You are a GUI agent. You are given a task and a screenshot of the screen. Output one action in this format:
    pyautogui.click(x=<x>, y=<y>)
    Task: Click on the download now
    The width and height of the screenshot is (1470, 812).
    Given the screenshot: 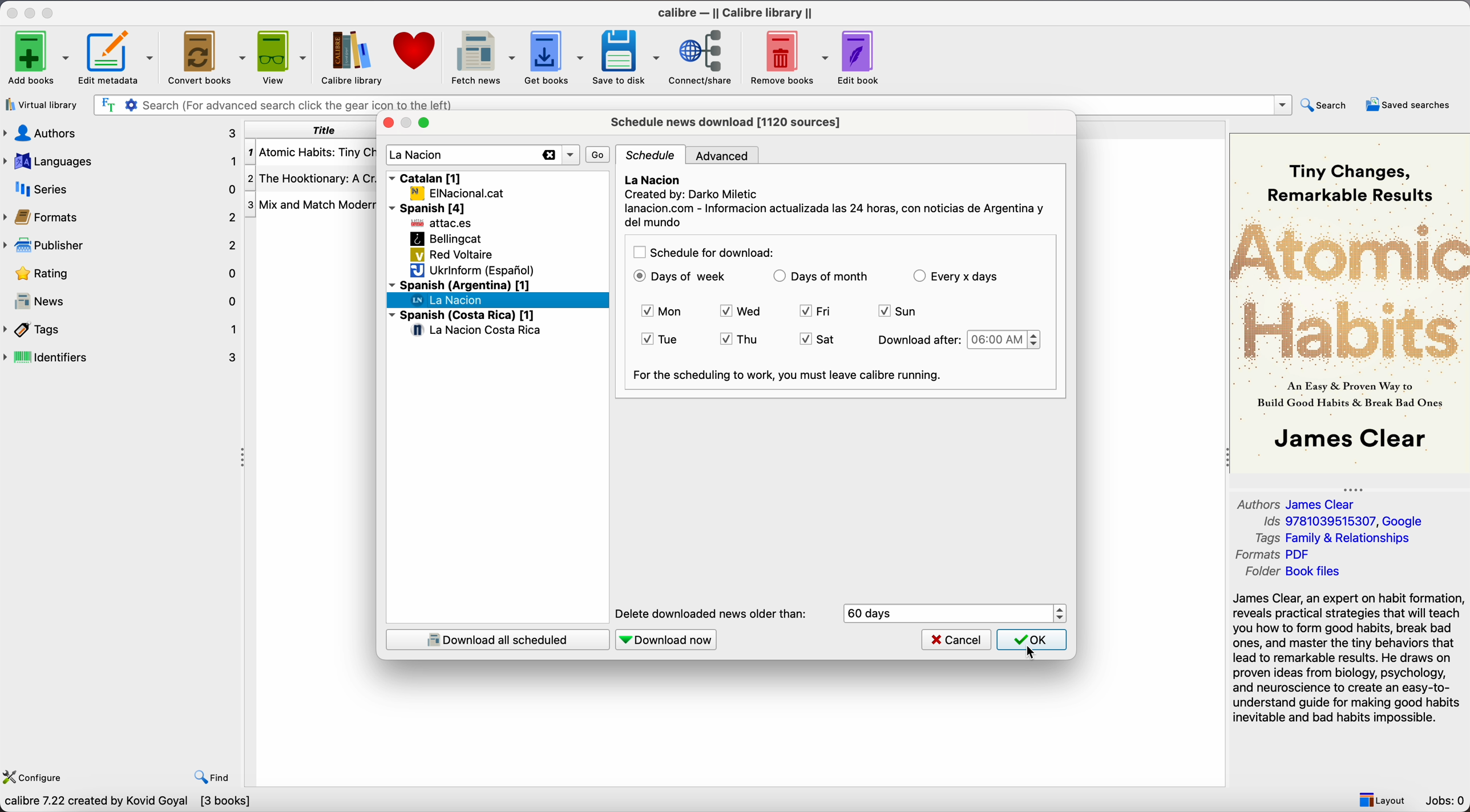 What is the action you would take?
    pyautogui.click(x=668, y=639)
    